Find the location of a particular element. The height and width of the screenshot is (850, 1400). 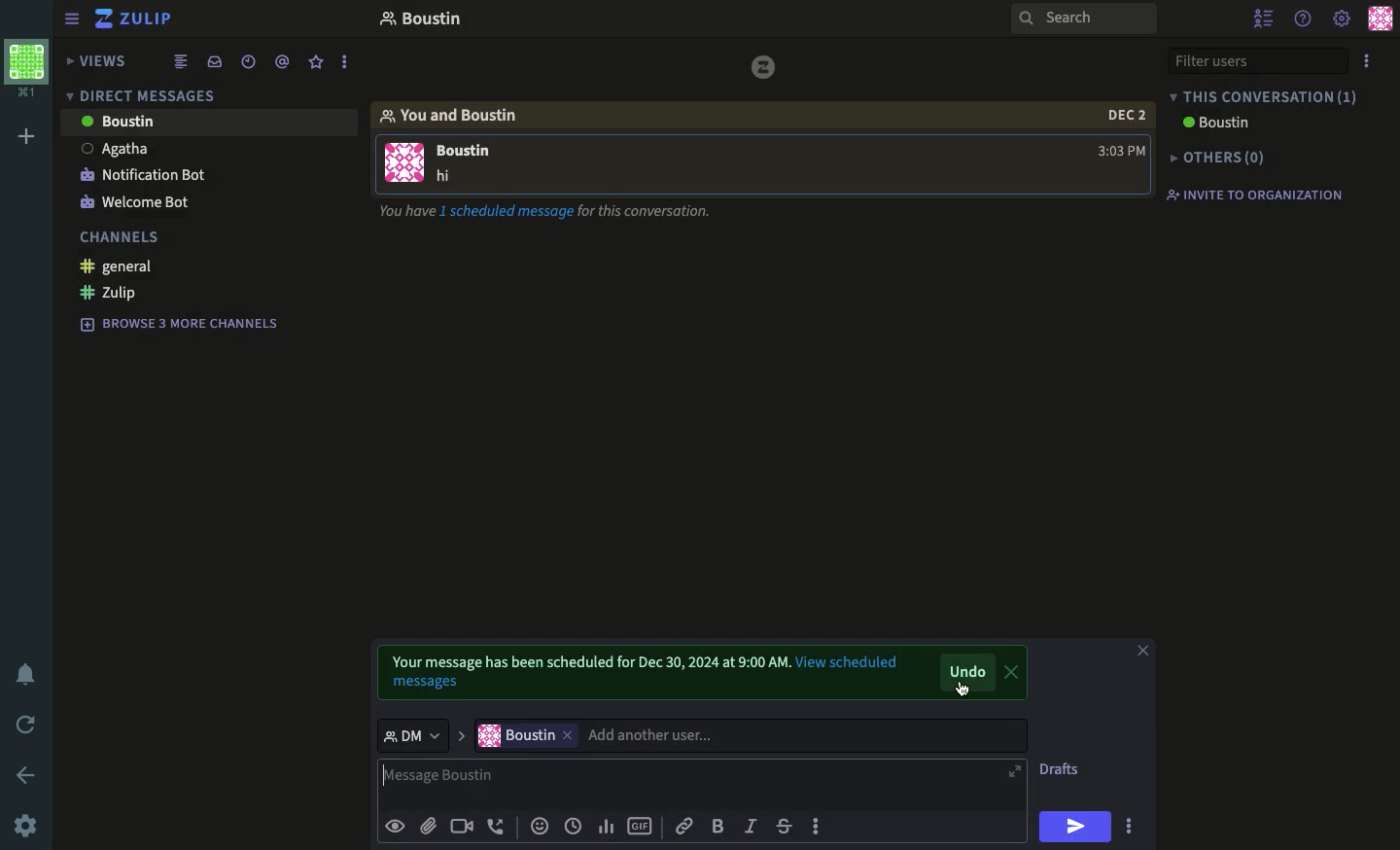

strikethrough  is located at coordinates (787, 823).